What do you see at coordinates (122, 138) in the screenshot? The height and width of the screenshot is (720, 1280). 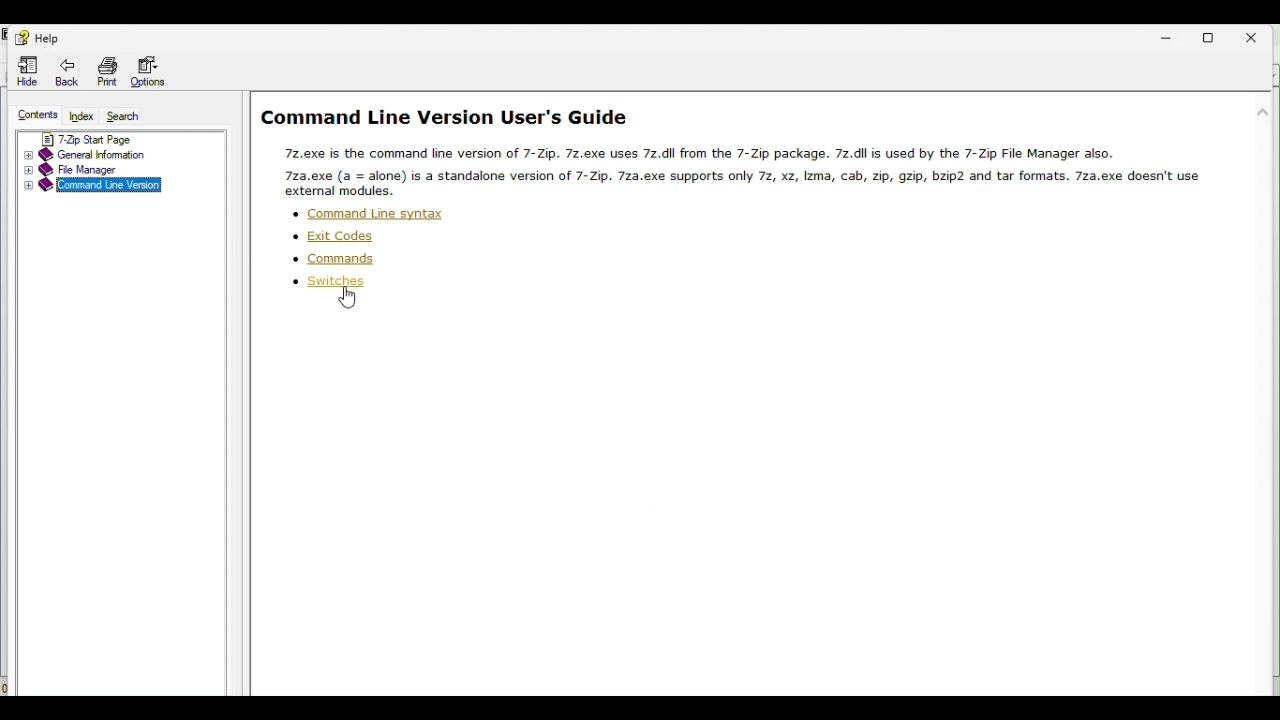 I see `7 zip start page` at bounding box center [122, 138].